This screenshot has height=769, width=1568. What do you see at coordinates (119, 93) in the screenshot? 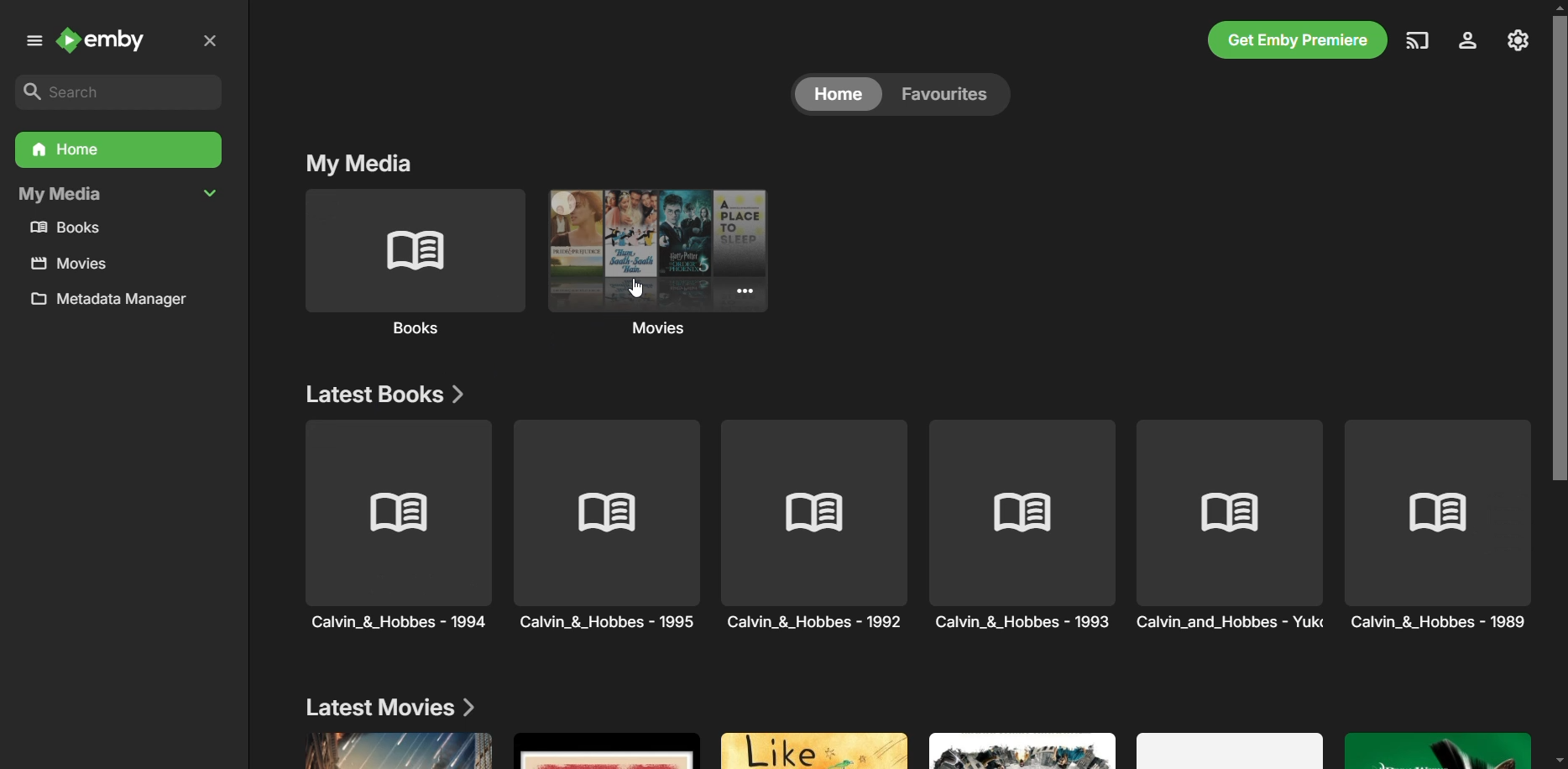
I see `Search` at bounding box center [119, 93].